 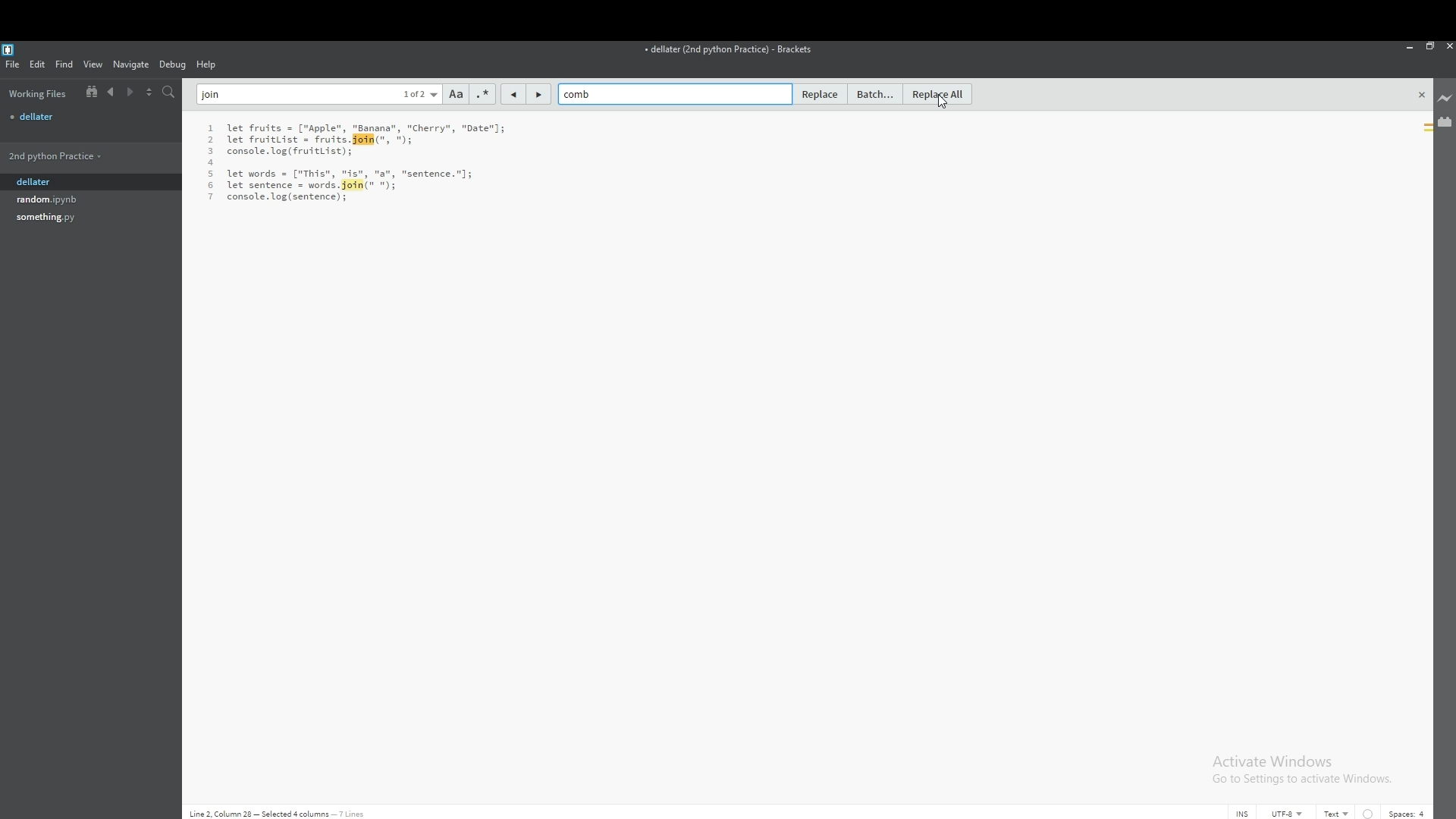 I want to click on extension manager, so click(x=1444, y=121).